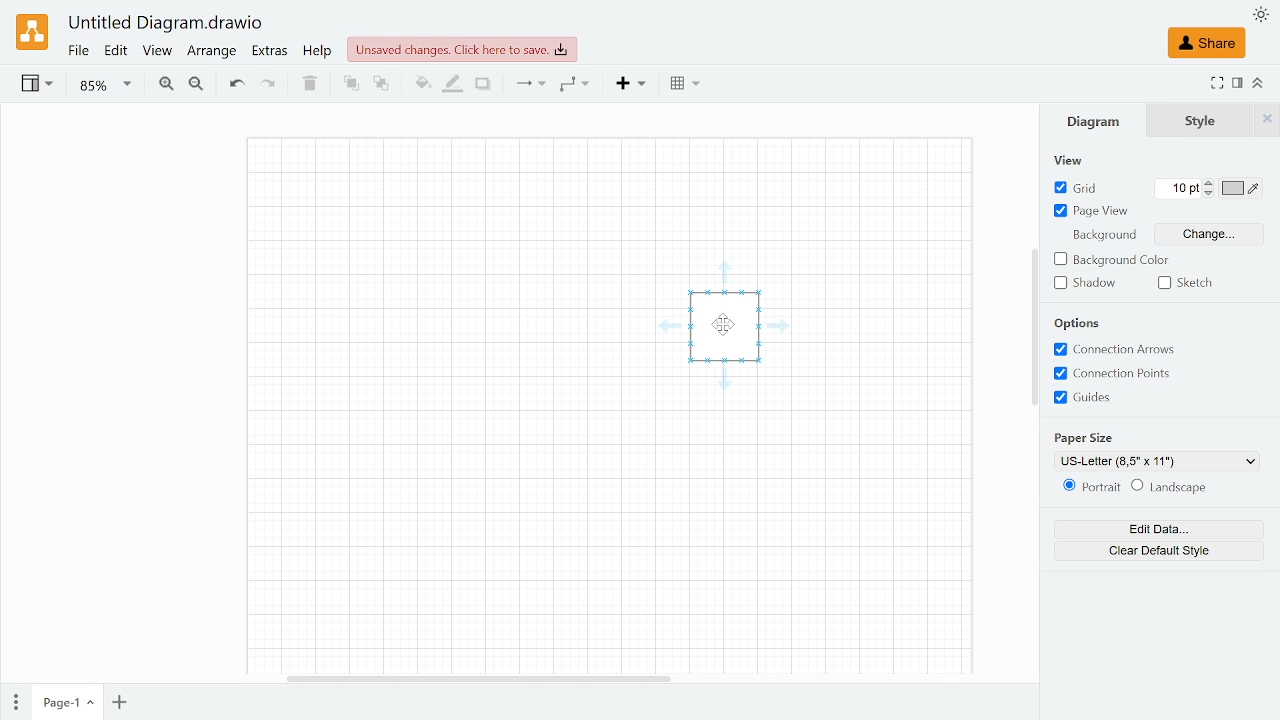  Describe the element at coordinates (117, 51) in the screenshot. I see `Edit` at that location.